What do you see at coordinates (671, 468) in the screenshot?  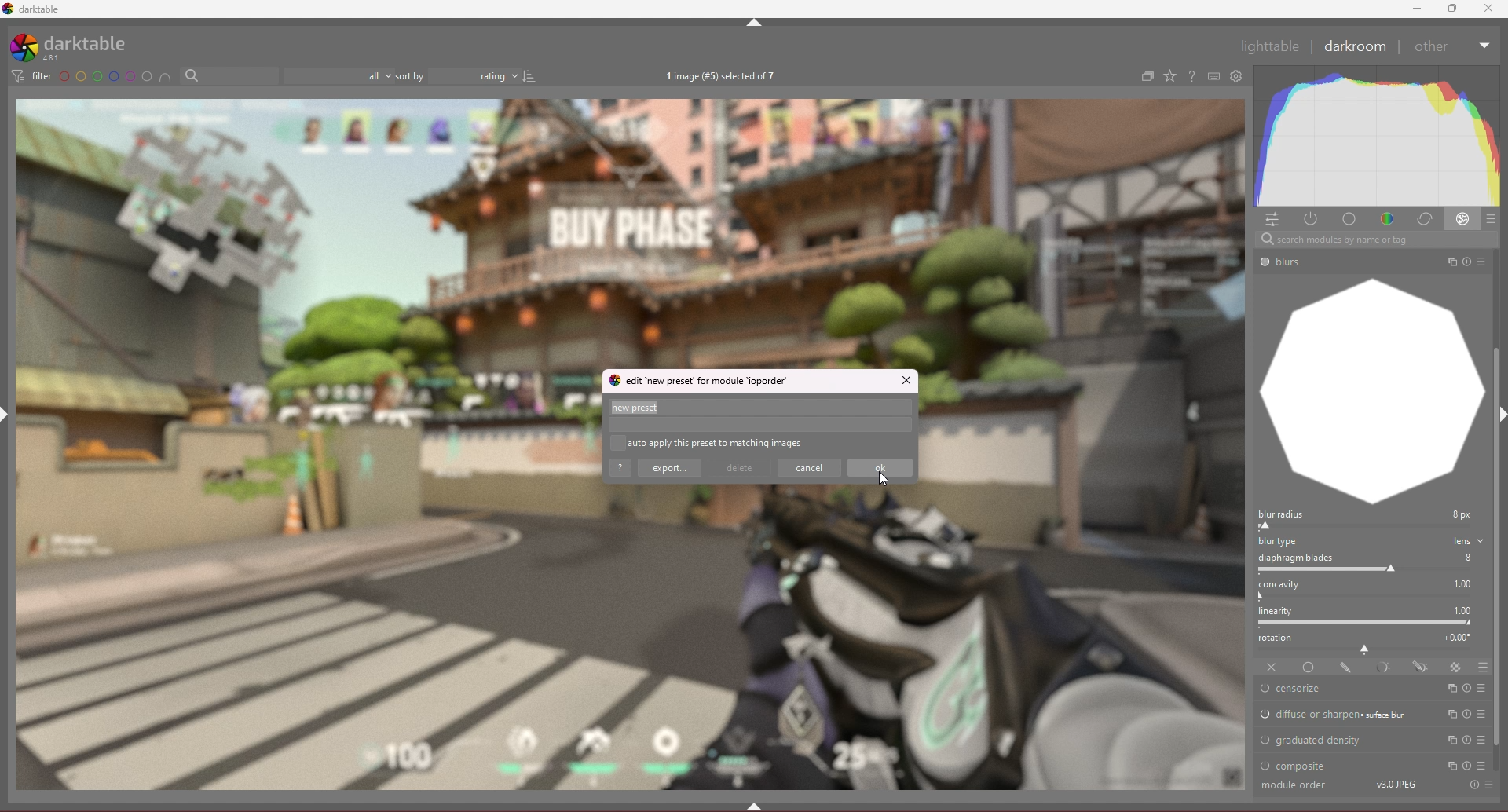 I see `export` at bounding box center [671, 468].